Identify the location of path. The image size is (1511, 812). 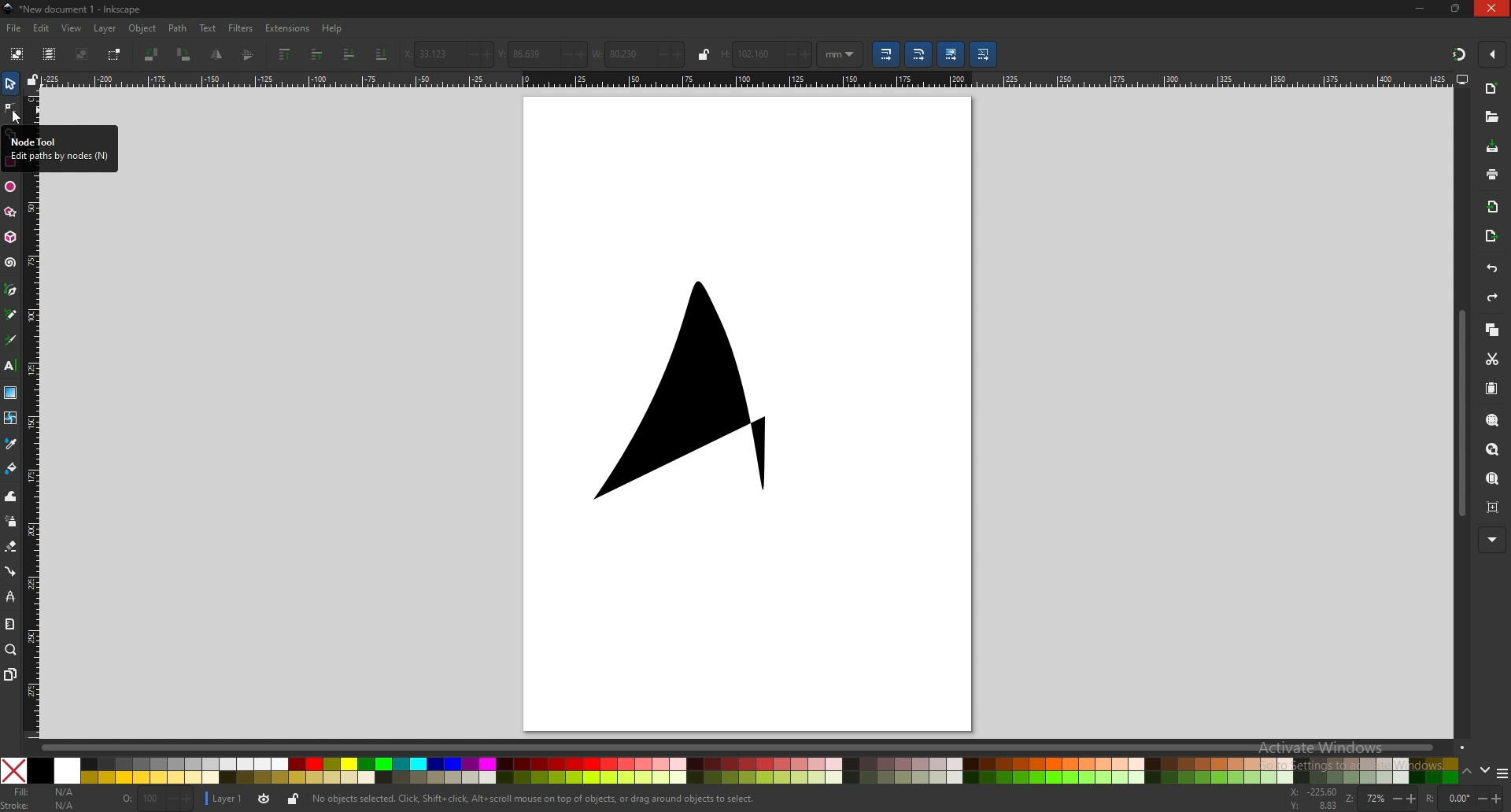
(179, 29).